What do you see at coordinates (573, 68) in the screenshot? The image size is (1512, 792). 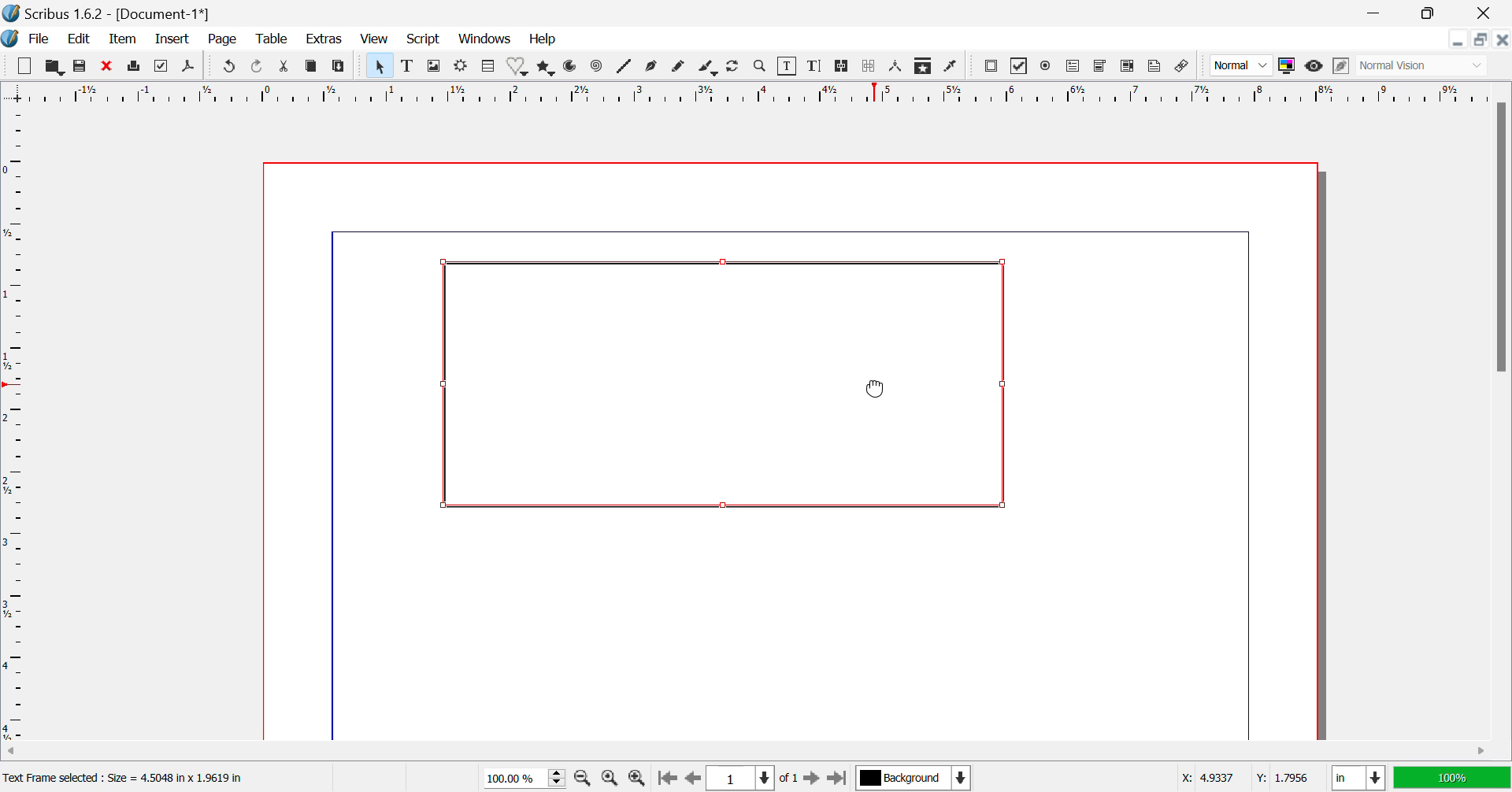 I see `Arcs` at bounding box center [573, 68].